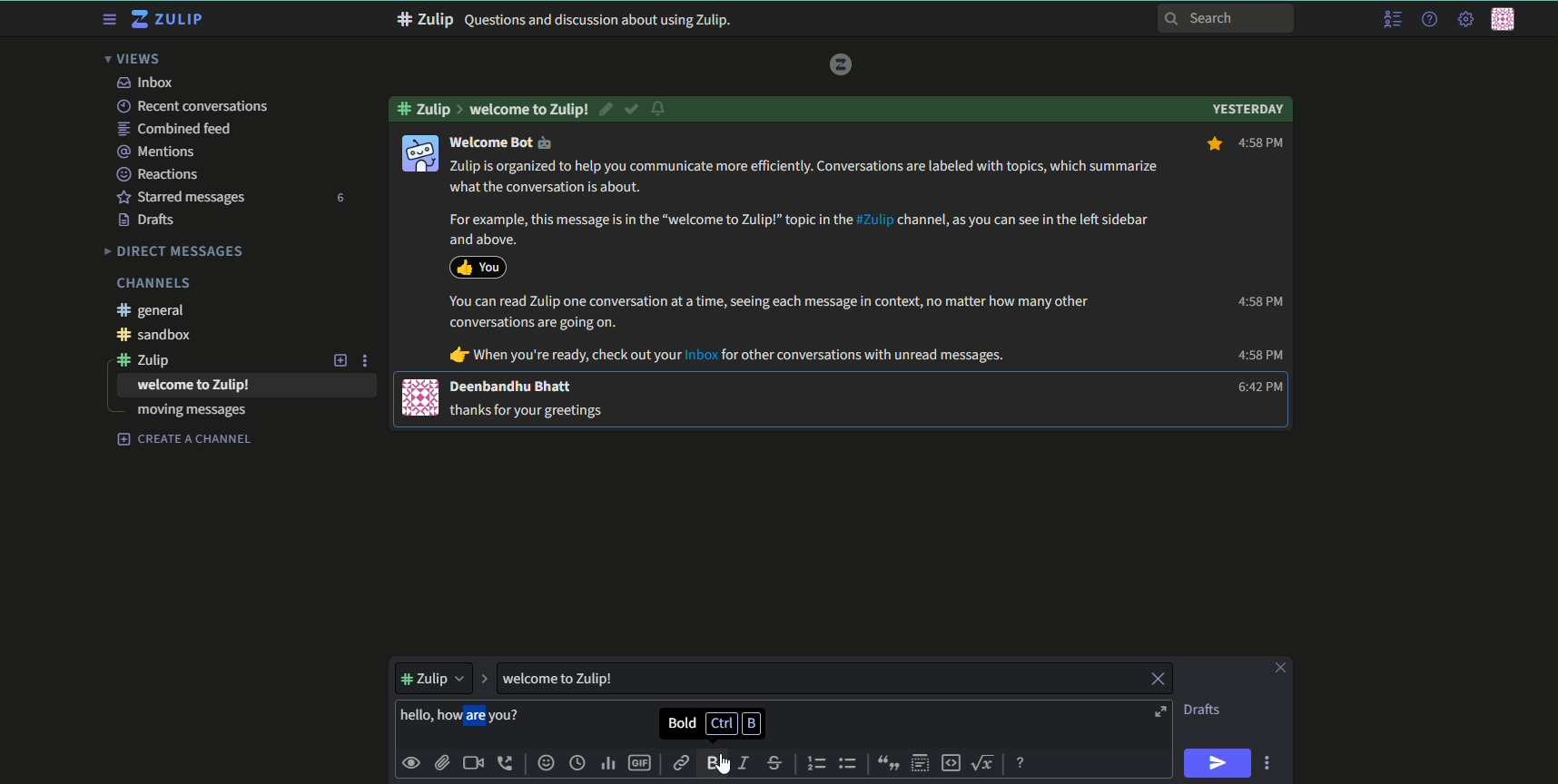  What do you see at coordinates (1159, 712) in the screenshot?
I see `open` at bounding box center [1159, 712].